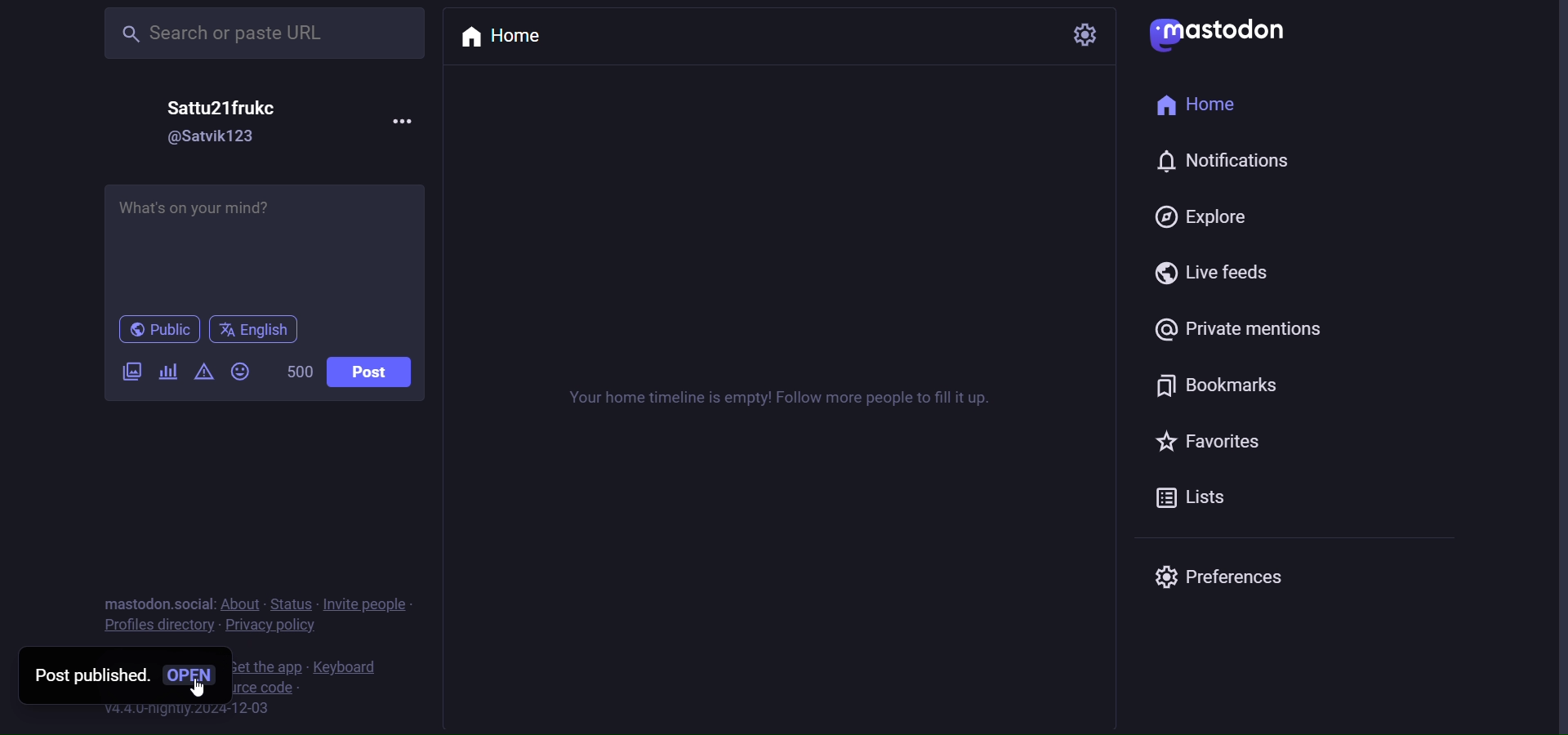 Image resolution: width=1568 pixels, height=735 pixels. I want to click on id, so click(218, 136).